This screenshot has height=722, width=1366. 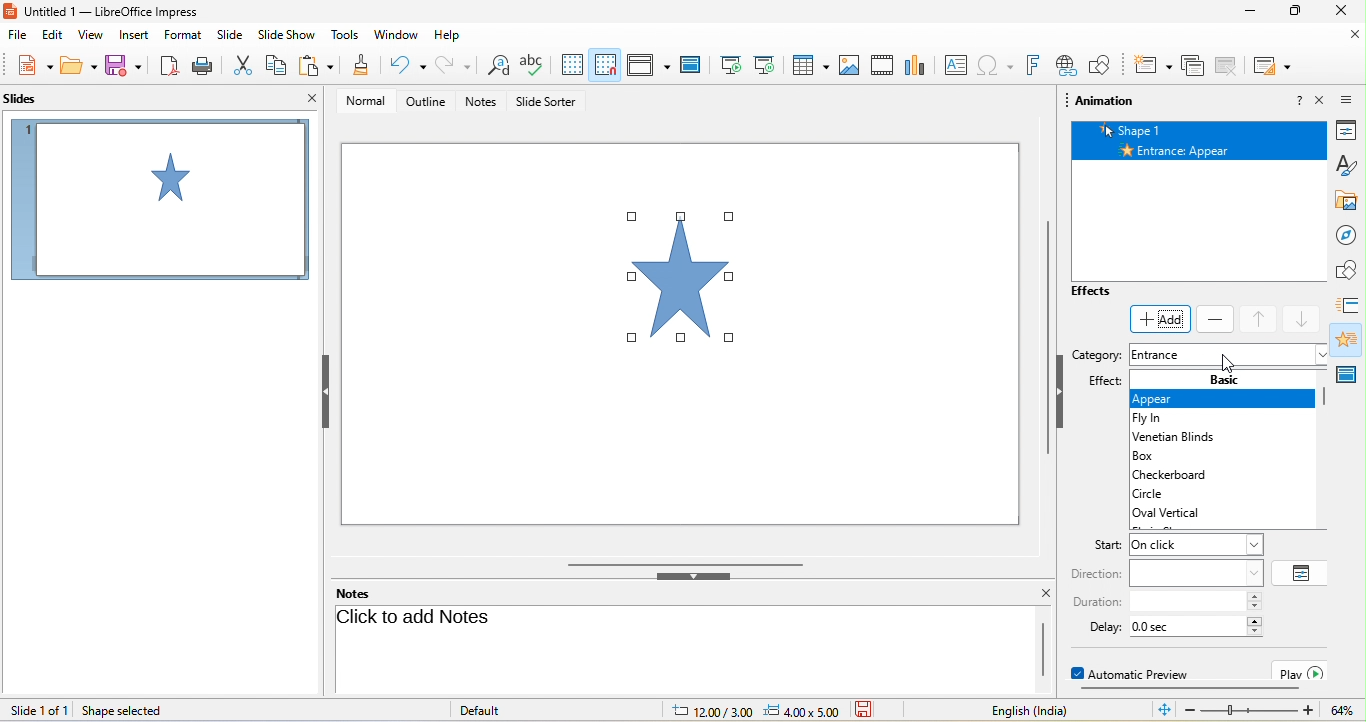 I want to click on hide bottom bar, so click(x=693, y=578).